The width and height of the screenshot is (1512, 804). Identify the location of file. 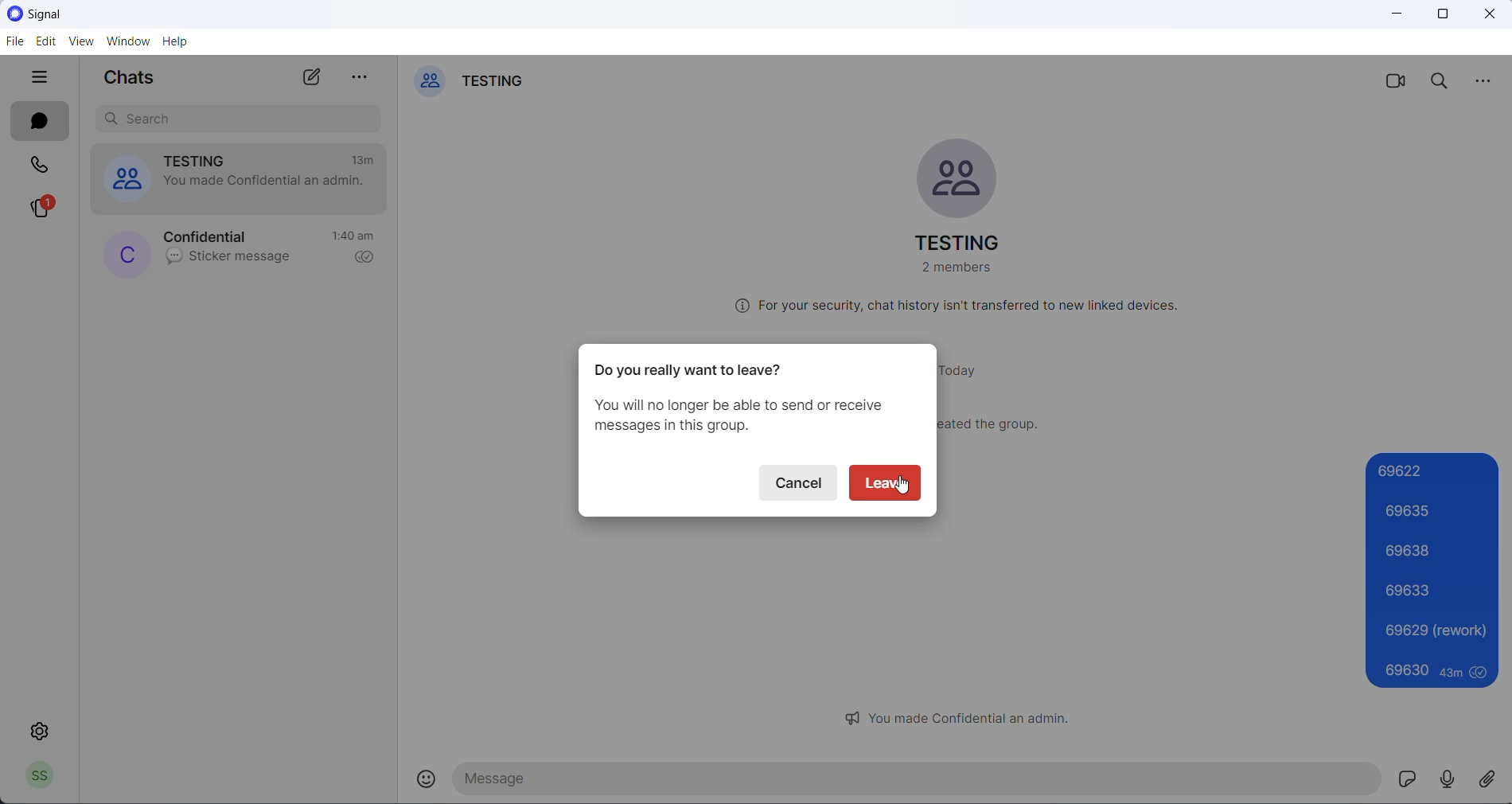
(12, 42).